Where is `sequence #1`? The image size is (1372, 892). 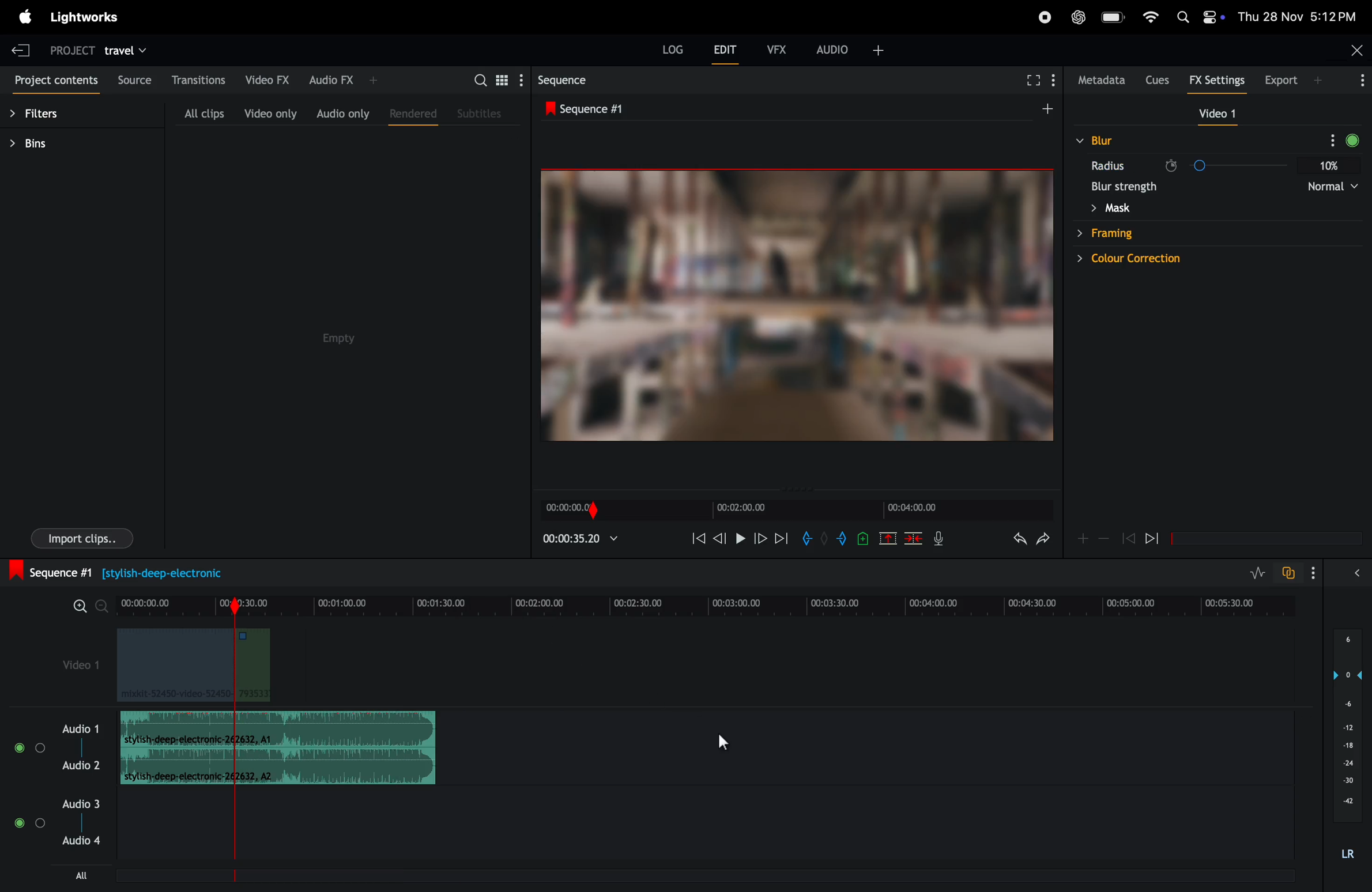 sequence #1 is located at coordinates (114, 572).